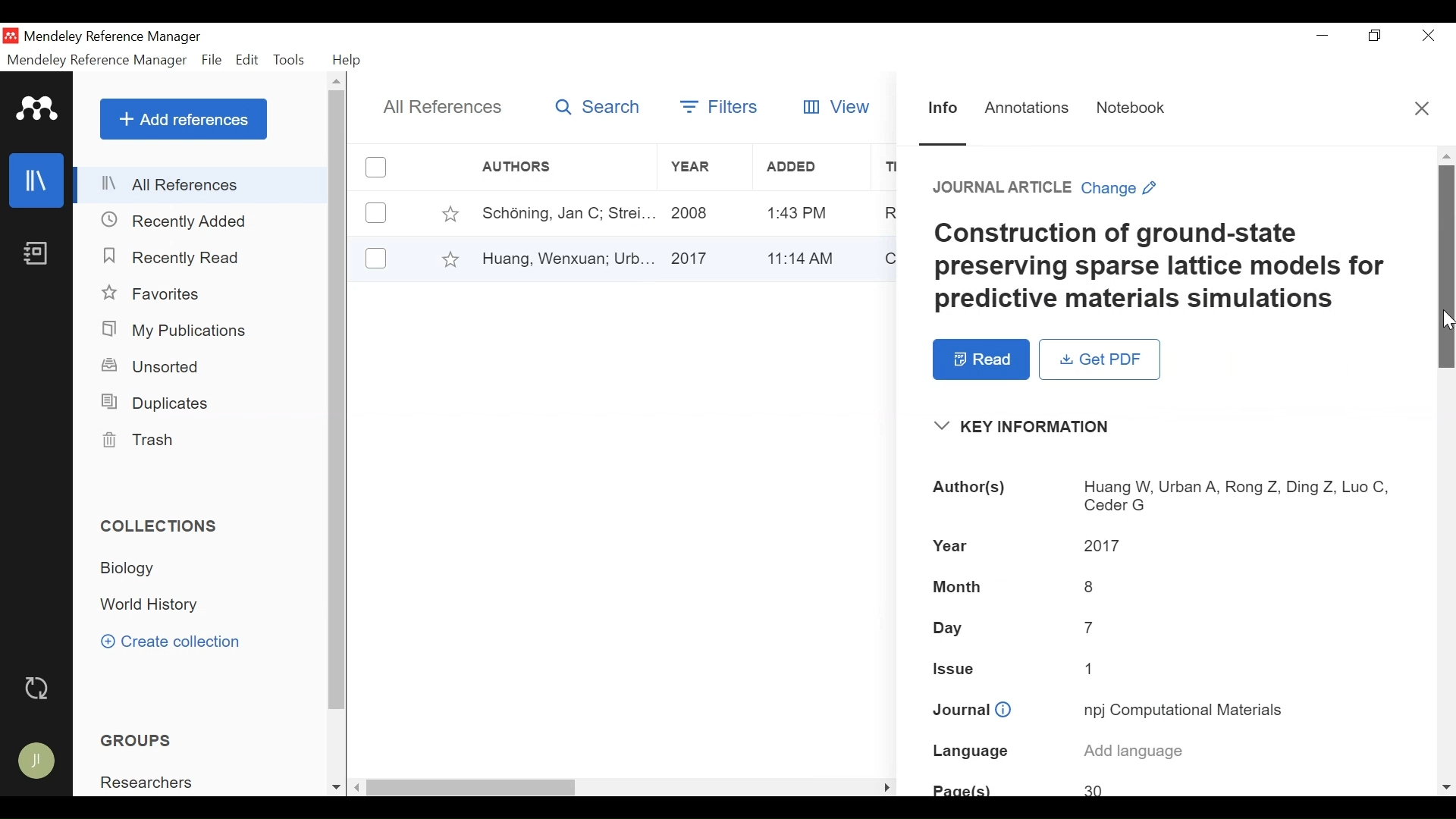 The image size is (1456, 819). I want to click on Title, so click(1175, 268).